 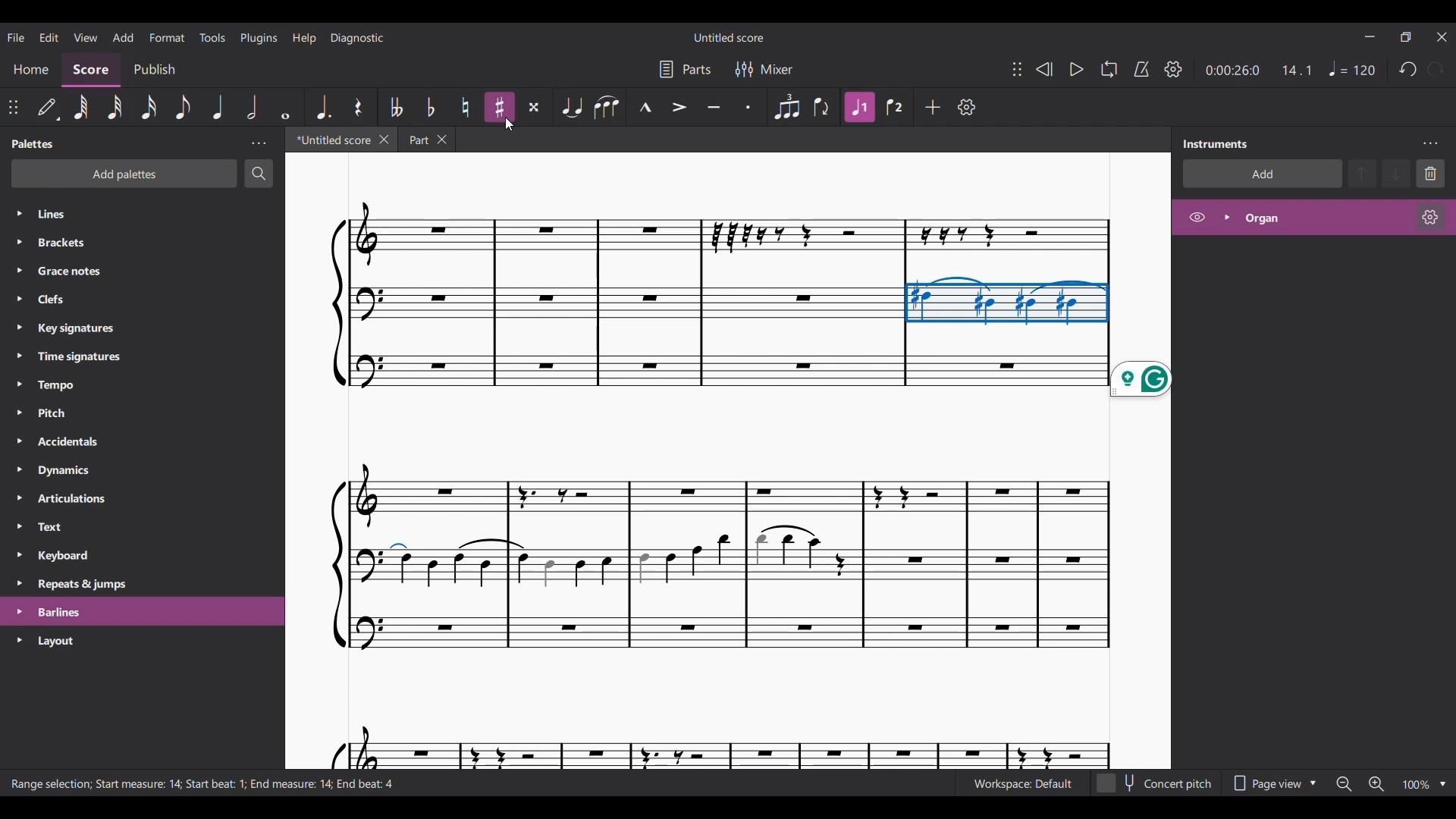 I want to click on Expand respective palettes, so click(x=18, y=426).